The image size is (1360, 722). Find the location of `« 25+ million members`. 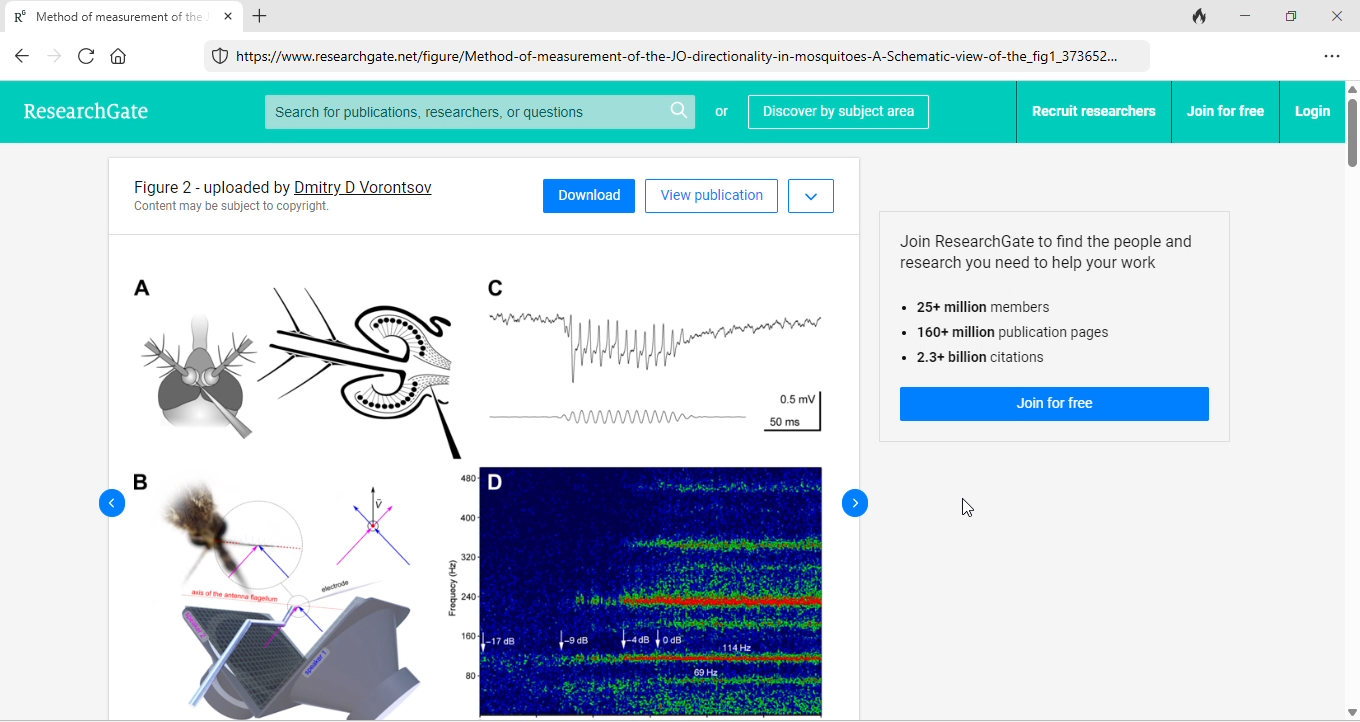

« 25+ million members is located at coordinates (988, 307).